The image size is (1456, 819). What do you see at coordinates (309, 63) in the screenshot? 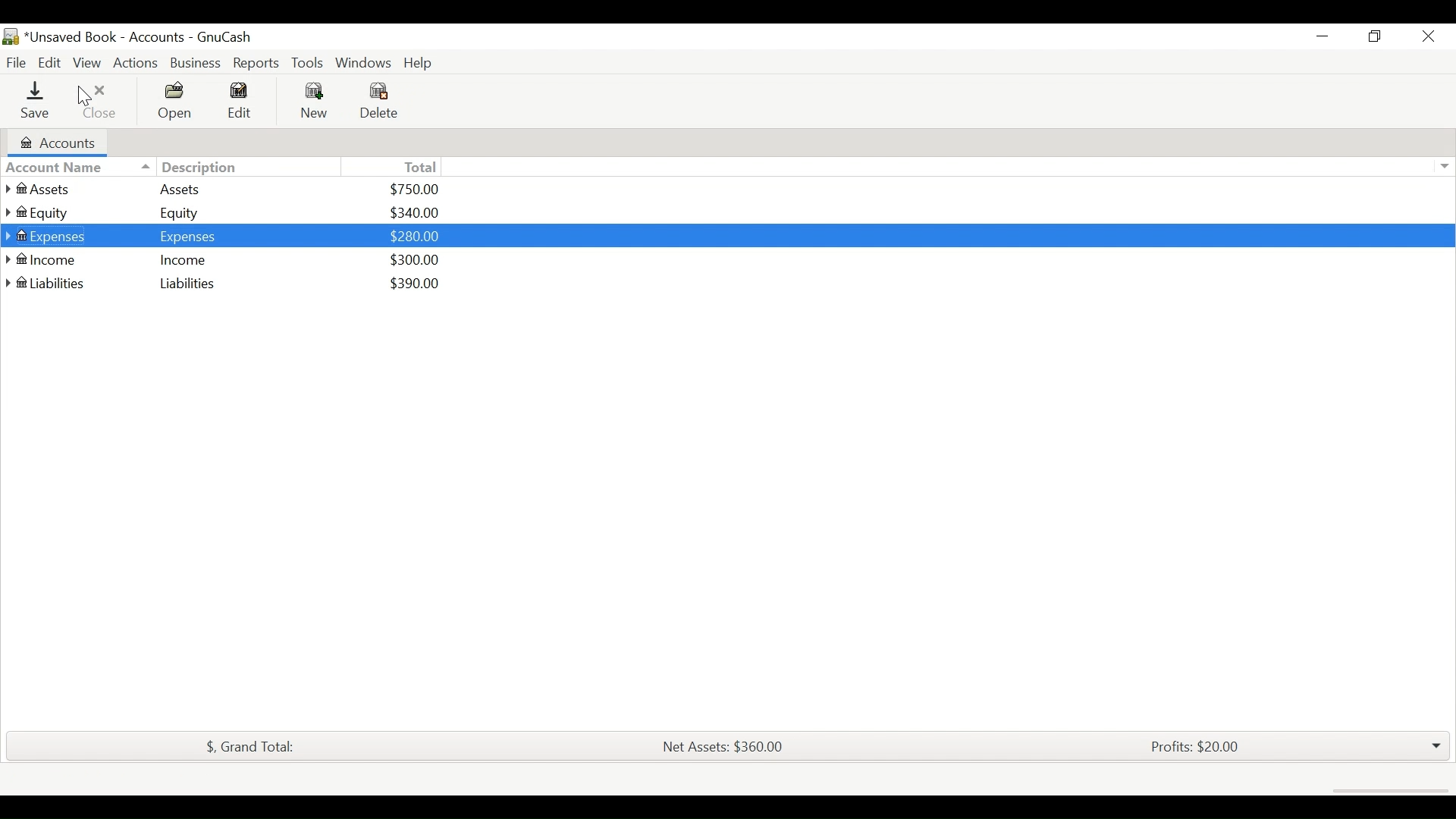
I see `Tools` at bounding box center [309, 63].